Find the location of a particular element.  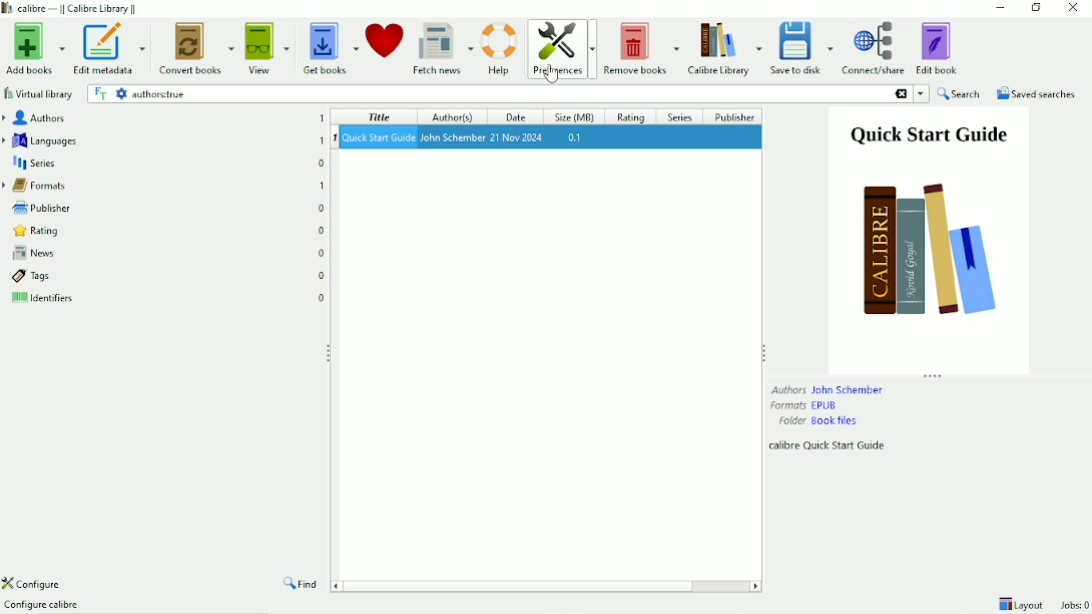

delete is located at coordinates (901, 94).